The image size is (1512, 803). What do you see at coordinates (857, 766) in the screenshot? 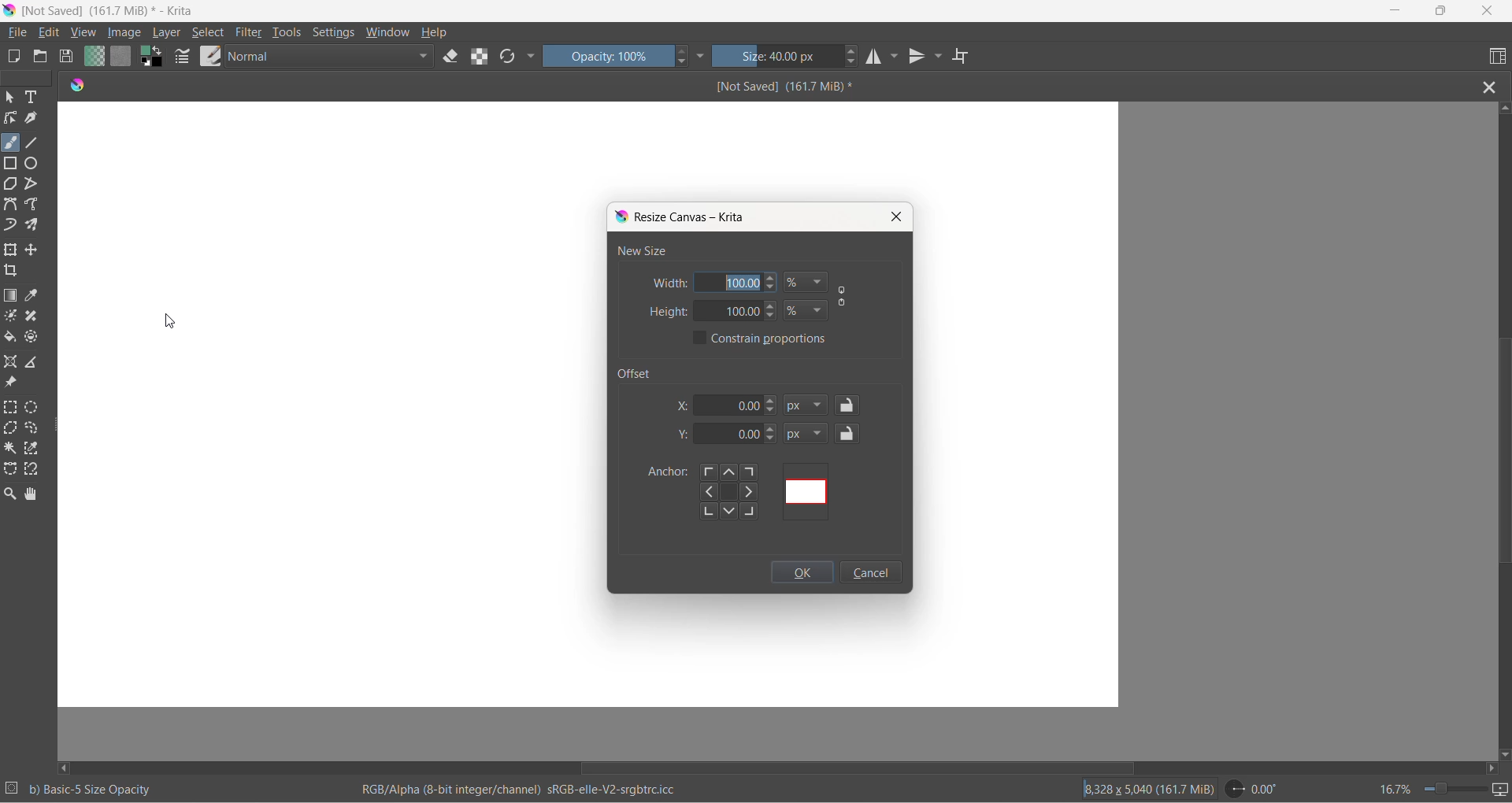
I see `horizontal scroll bar` at bounding box center [857, 766].